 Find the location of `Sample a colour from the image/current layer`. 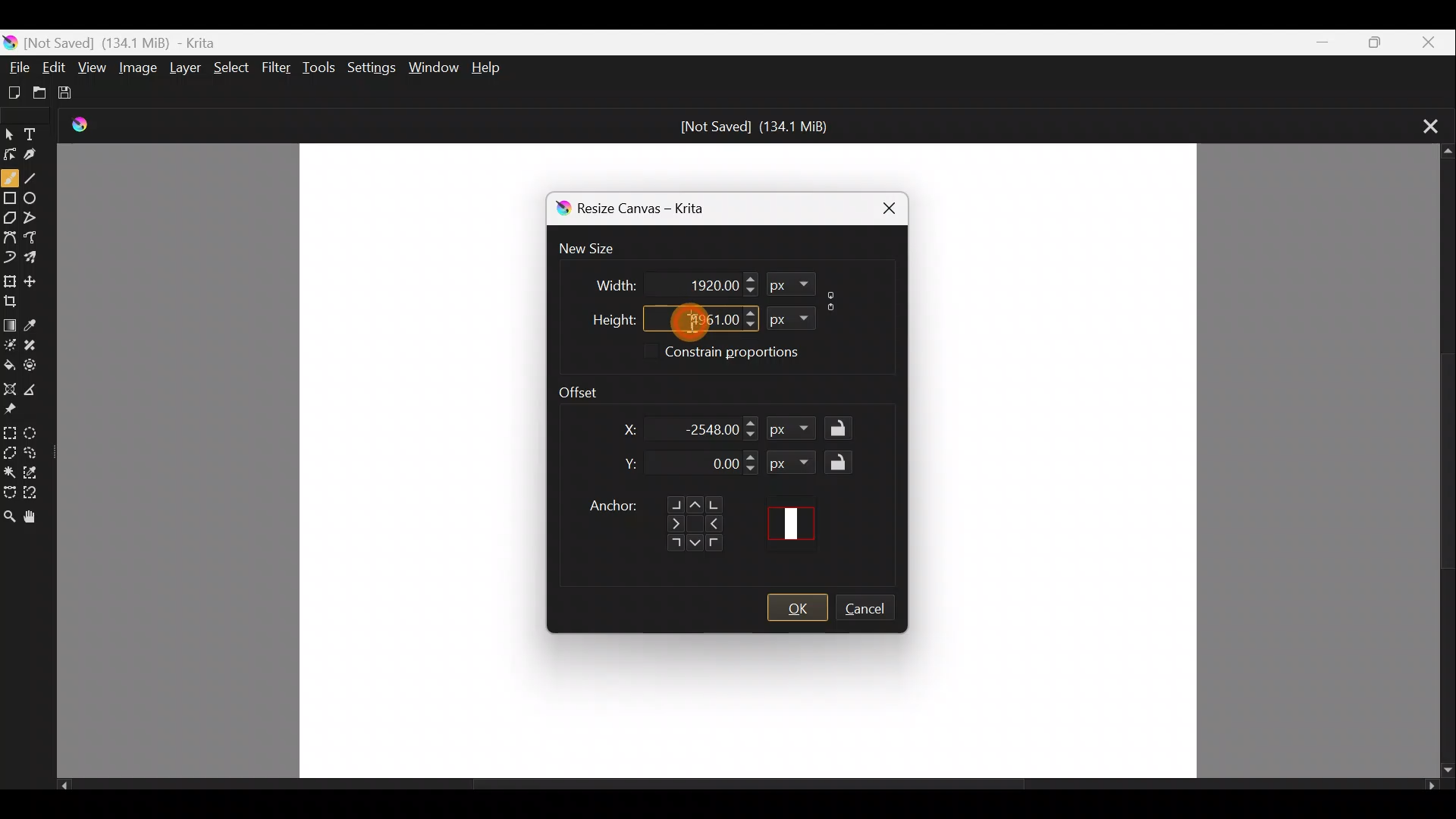

Sample a colour from the image/current layer is located at coordinates (37, 321).